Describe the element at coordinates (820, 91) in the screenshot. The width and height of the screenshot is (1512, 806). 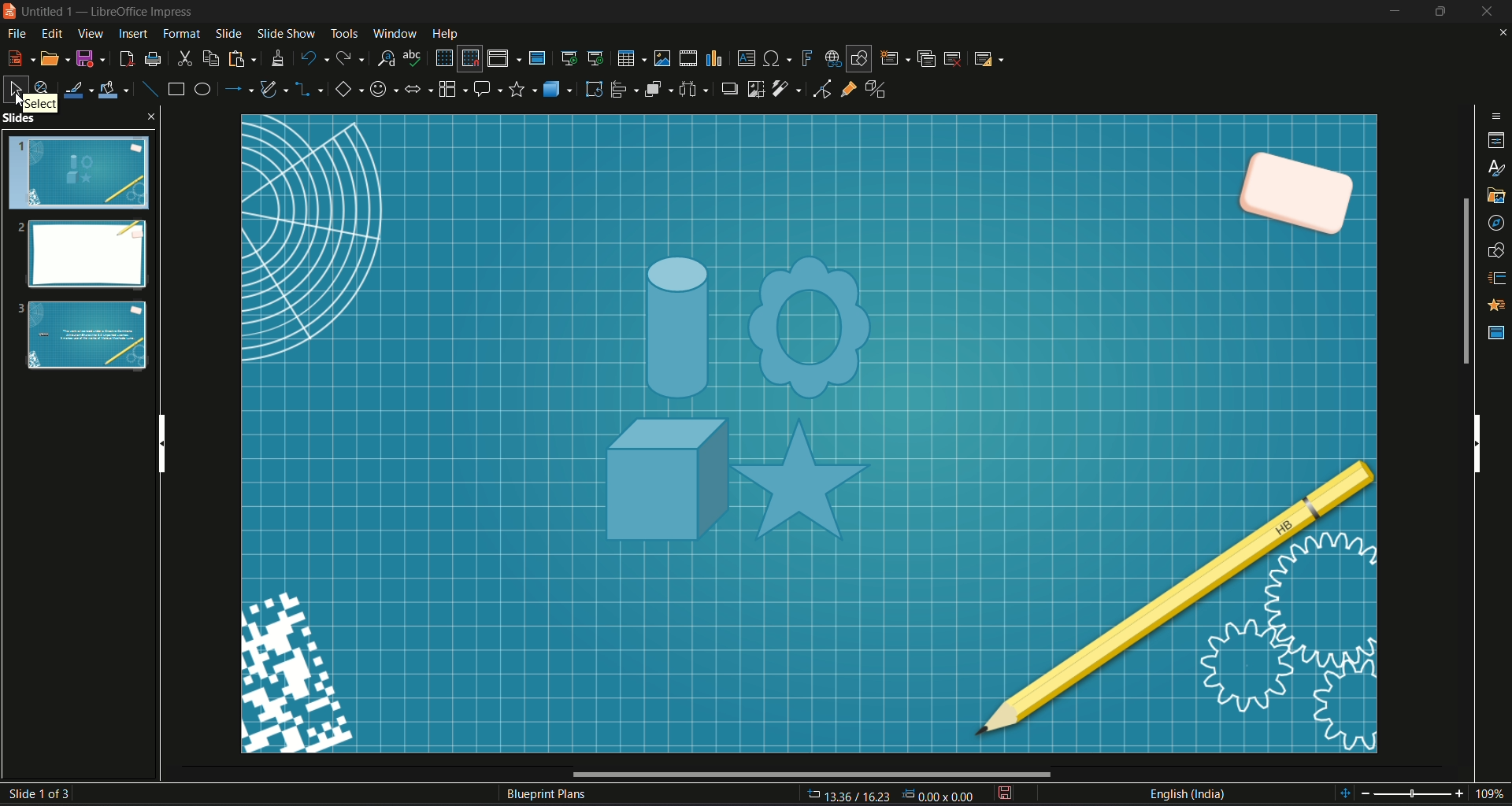
I see `toggle point` at that location.